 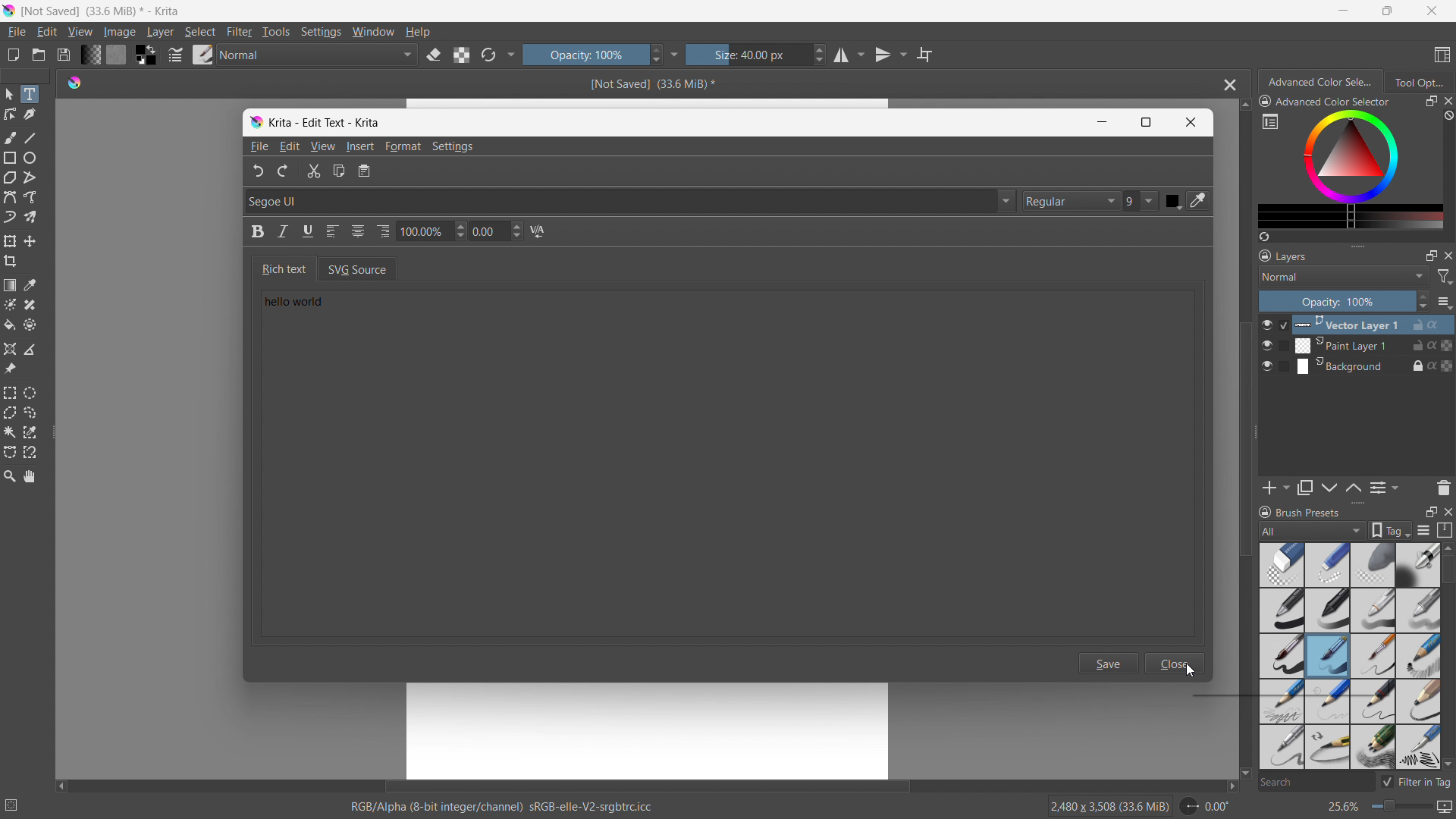 I want to click on edit, so click(x=46, y=33).